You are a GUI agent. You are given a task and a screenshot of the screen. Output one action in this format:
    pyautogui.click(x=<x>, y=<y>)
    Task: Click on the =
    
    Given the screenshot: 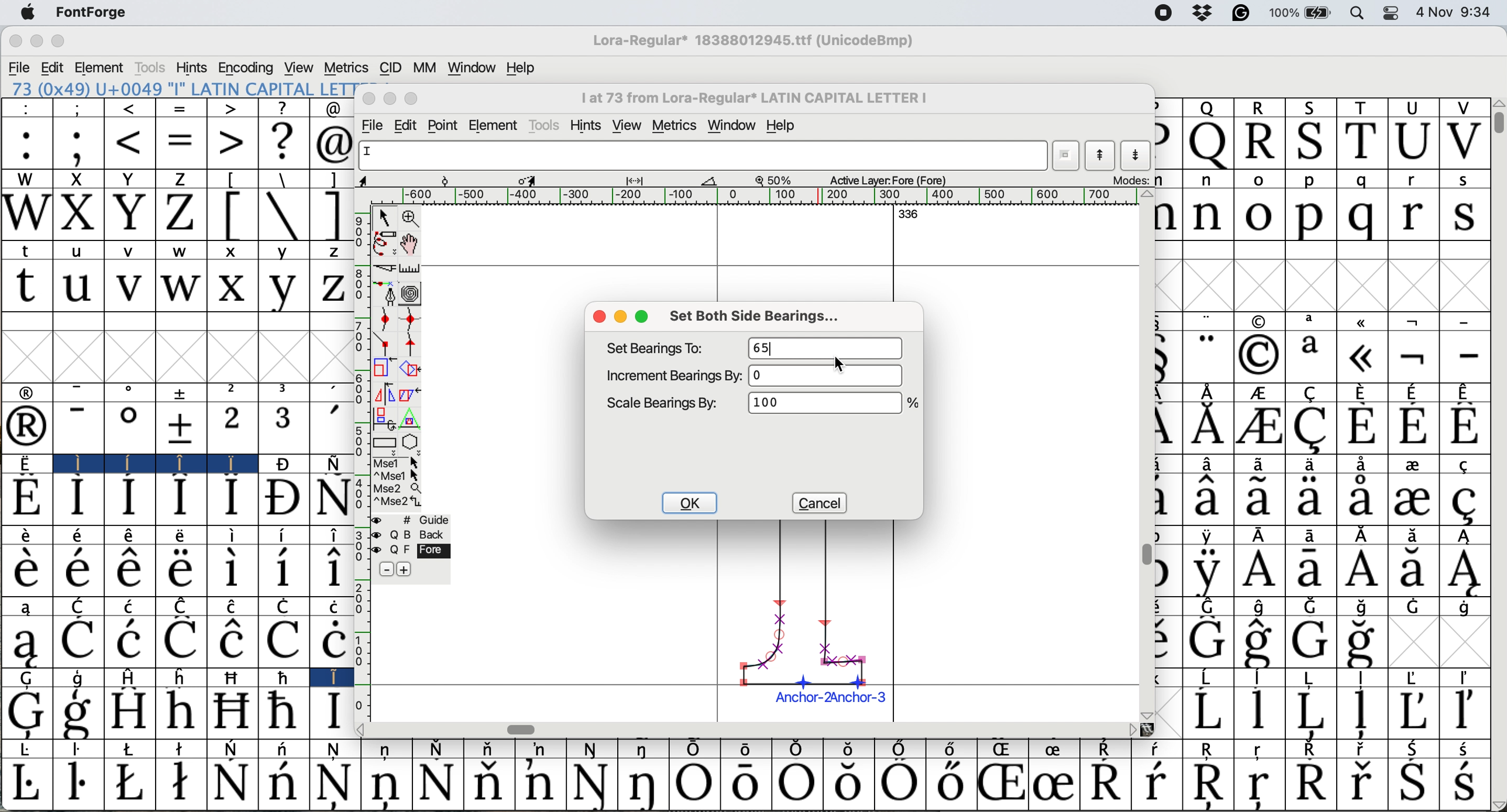 What is the action you would take?
    pyautogui.click(x=181, y=145)
    